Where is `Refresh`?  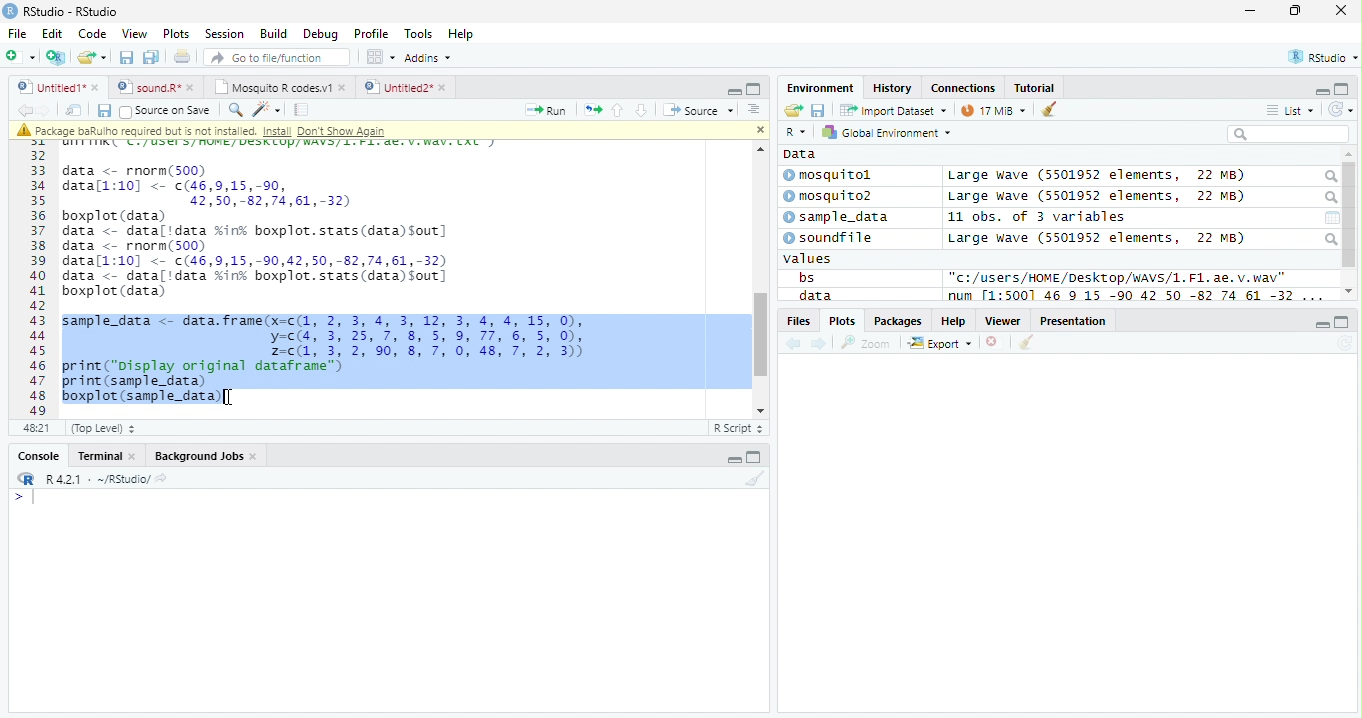 Refresh is located at coordinates (1341, 110).